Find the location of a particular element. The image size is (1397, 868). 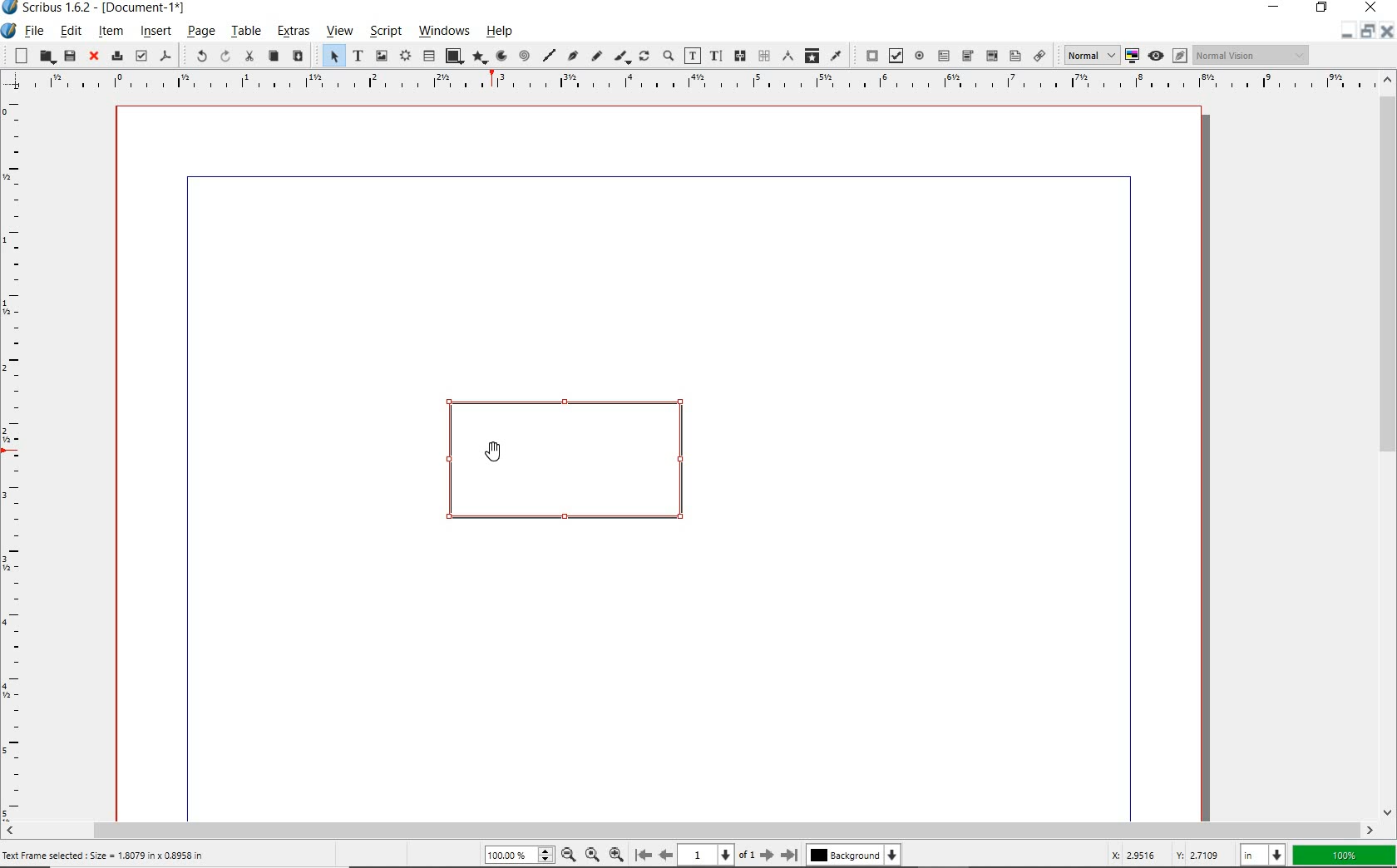

render frame is located at coordinates (404, 57).